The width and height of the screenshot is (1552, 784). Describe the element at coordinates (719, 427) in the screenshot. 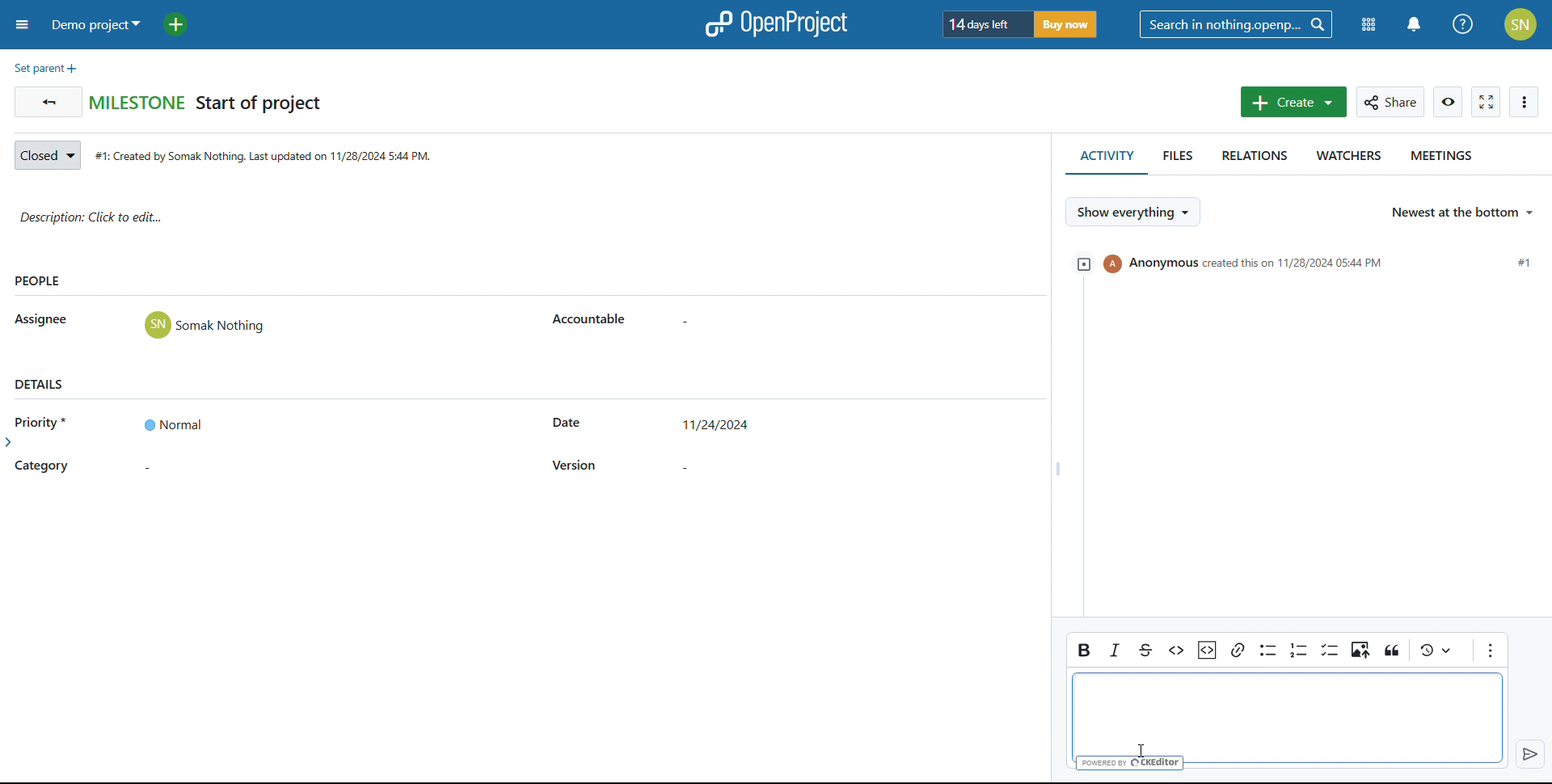

I see `set start date` at that location.